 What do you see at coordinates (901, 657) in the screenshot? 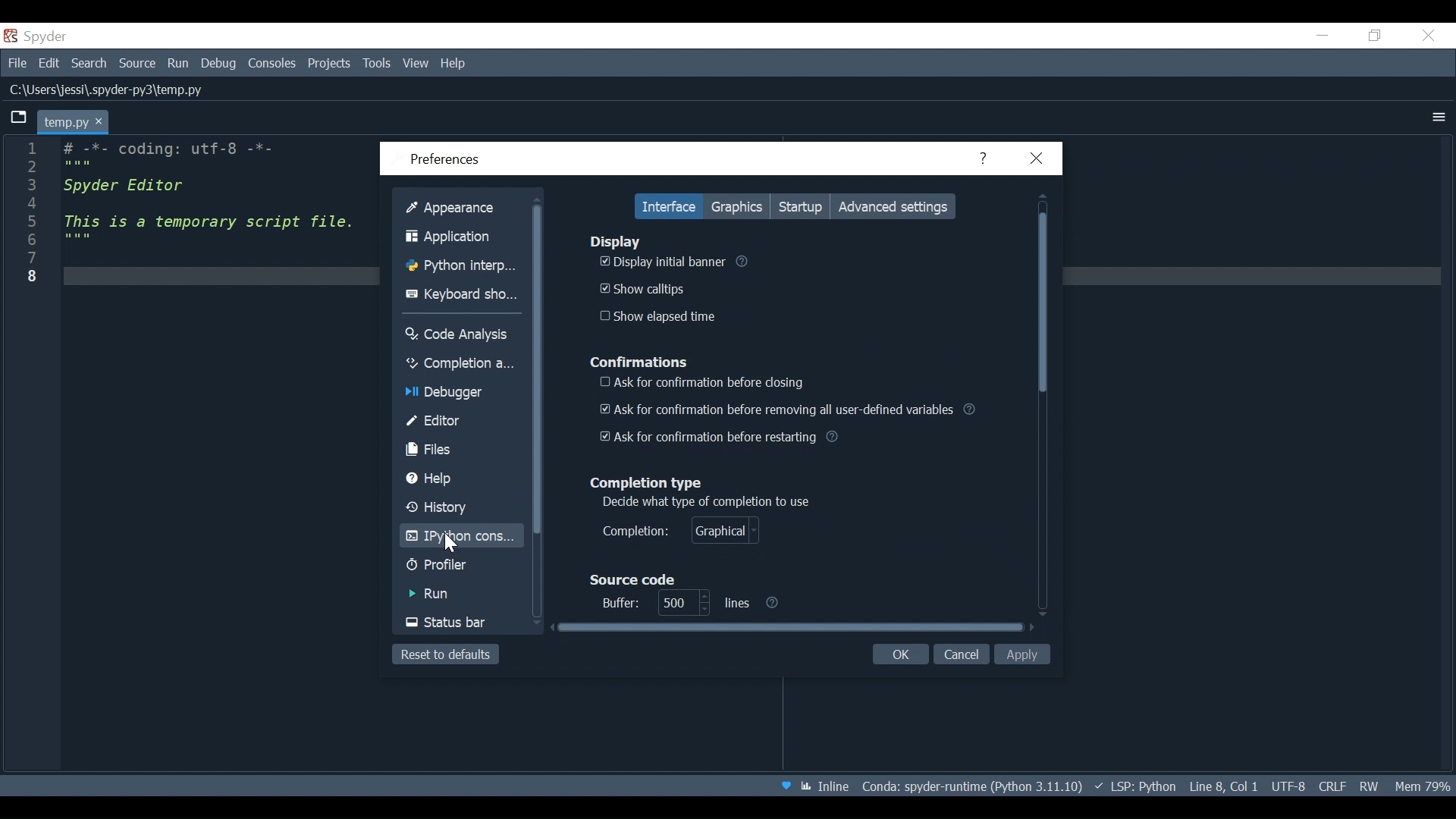
I see `OK` at bounding box center [901, 657].